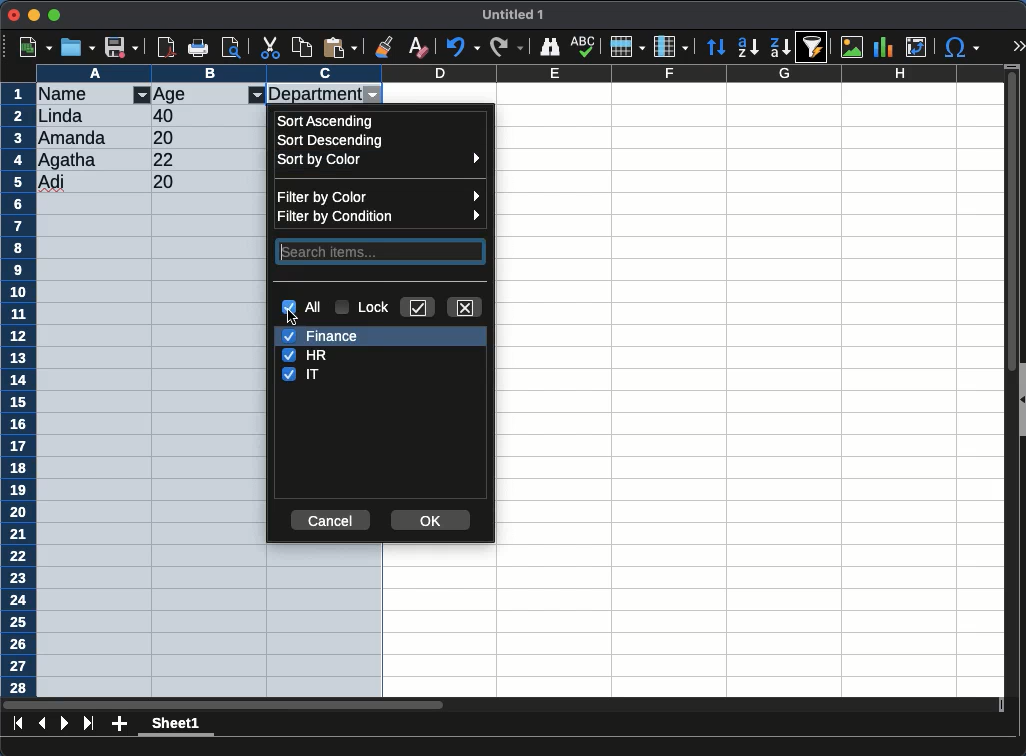 This screenshot has height=756, width=1026. Describe the element at coordinates (329, 521) in the screenshot. I see `cancel ` at that location.